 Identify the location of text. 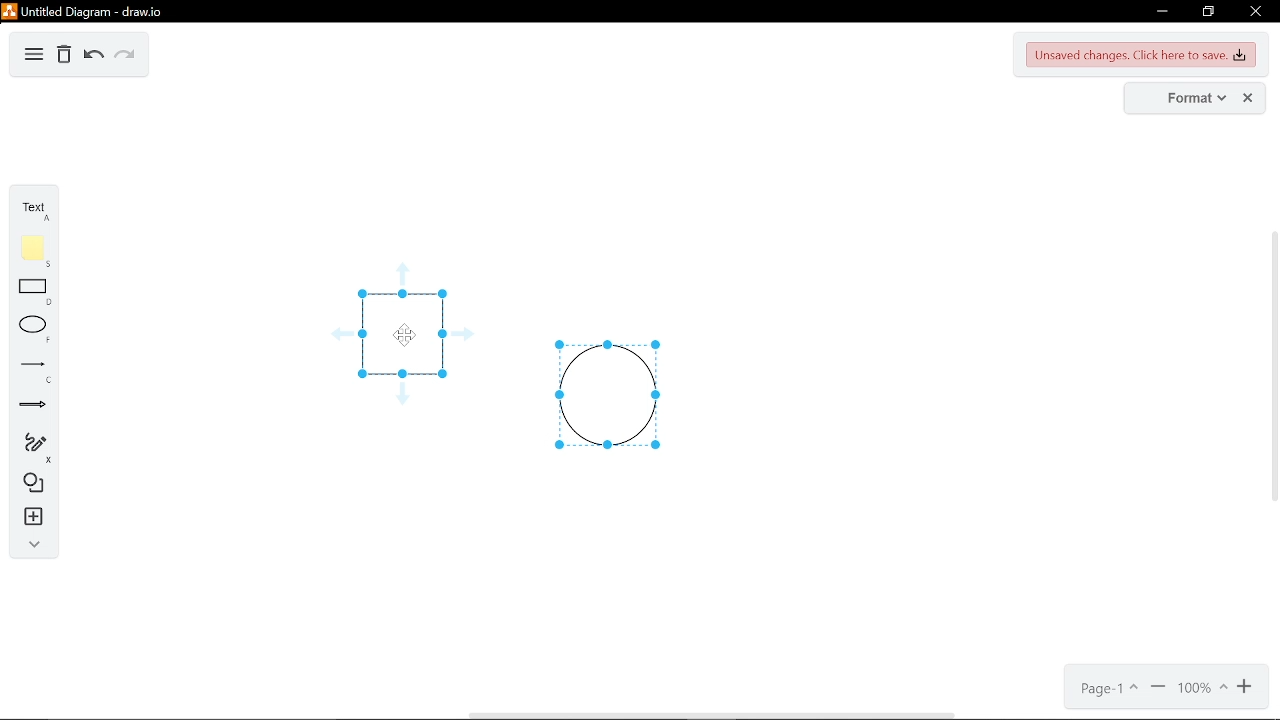
(33, 209).